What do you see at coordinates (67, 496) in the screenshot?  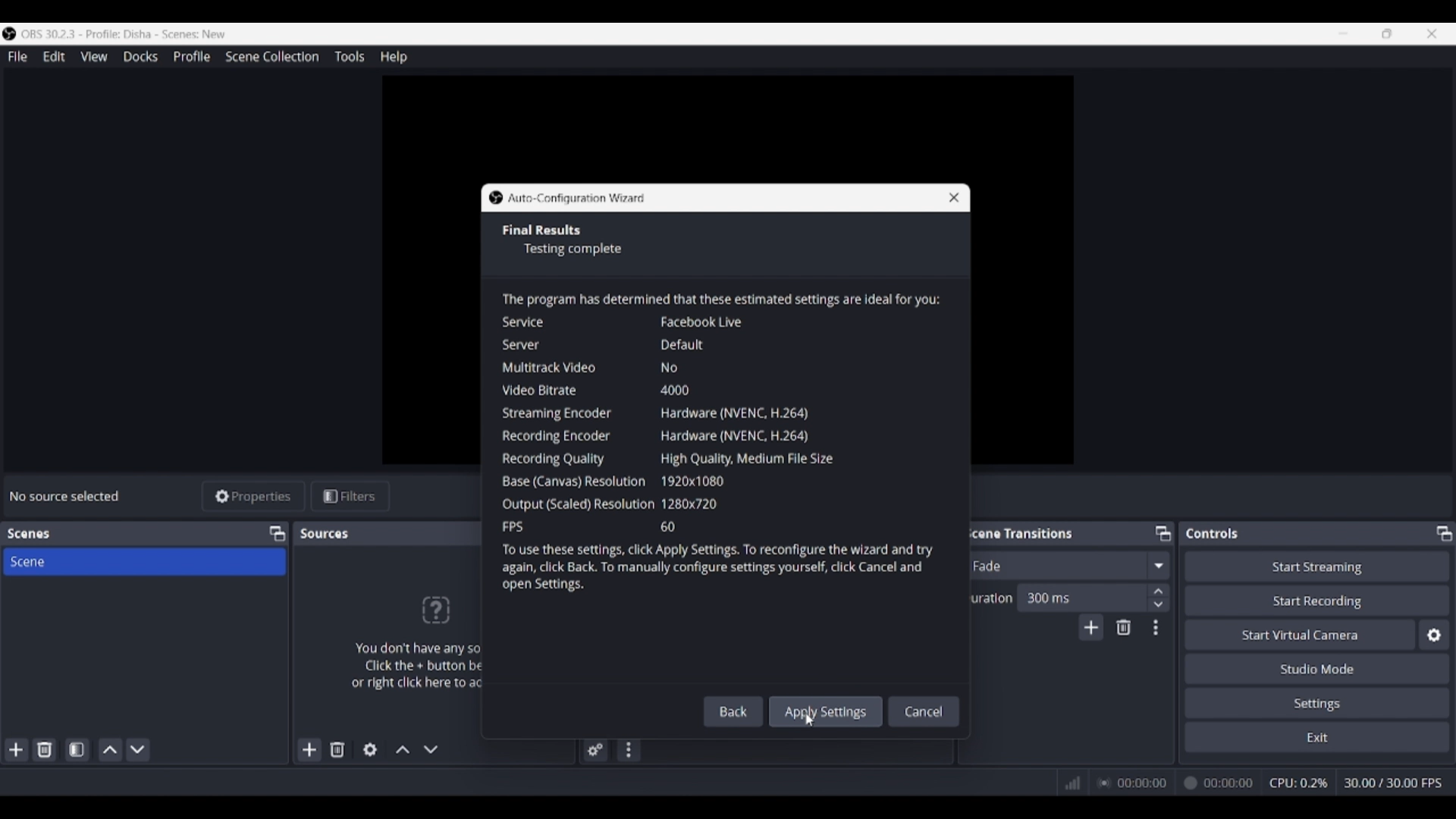 I see `Source status` at bounding box center [67, 496].